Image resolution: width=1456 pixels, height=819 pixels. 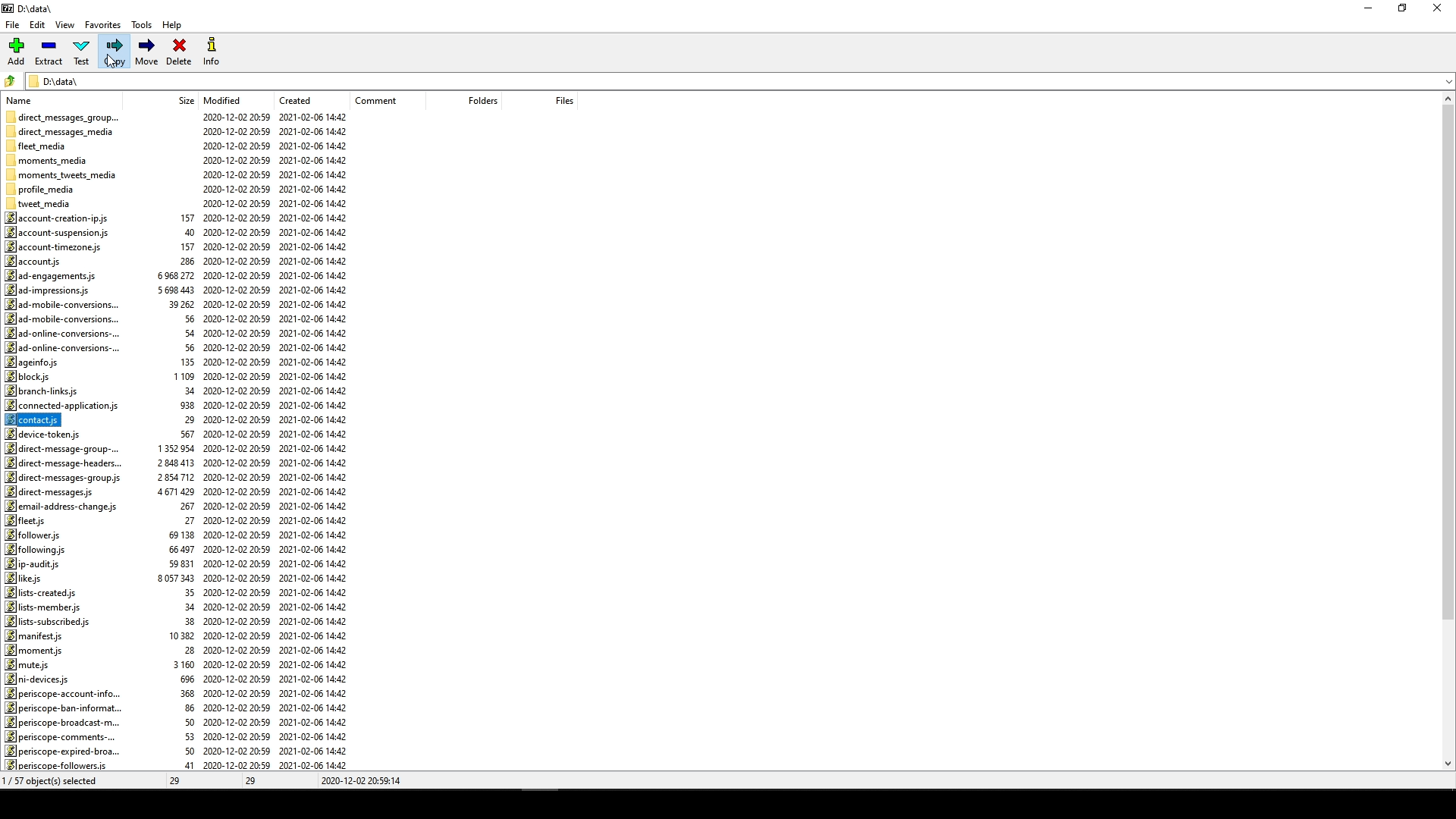 I want to click on cursor, so click(x=116, y=66).